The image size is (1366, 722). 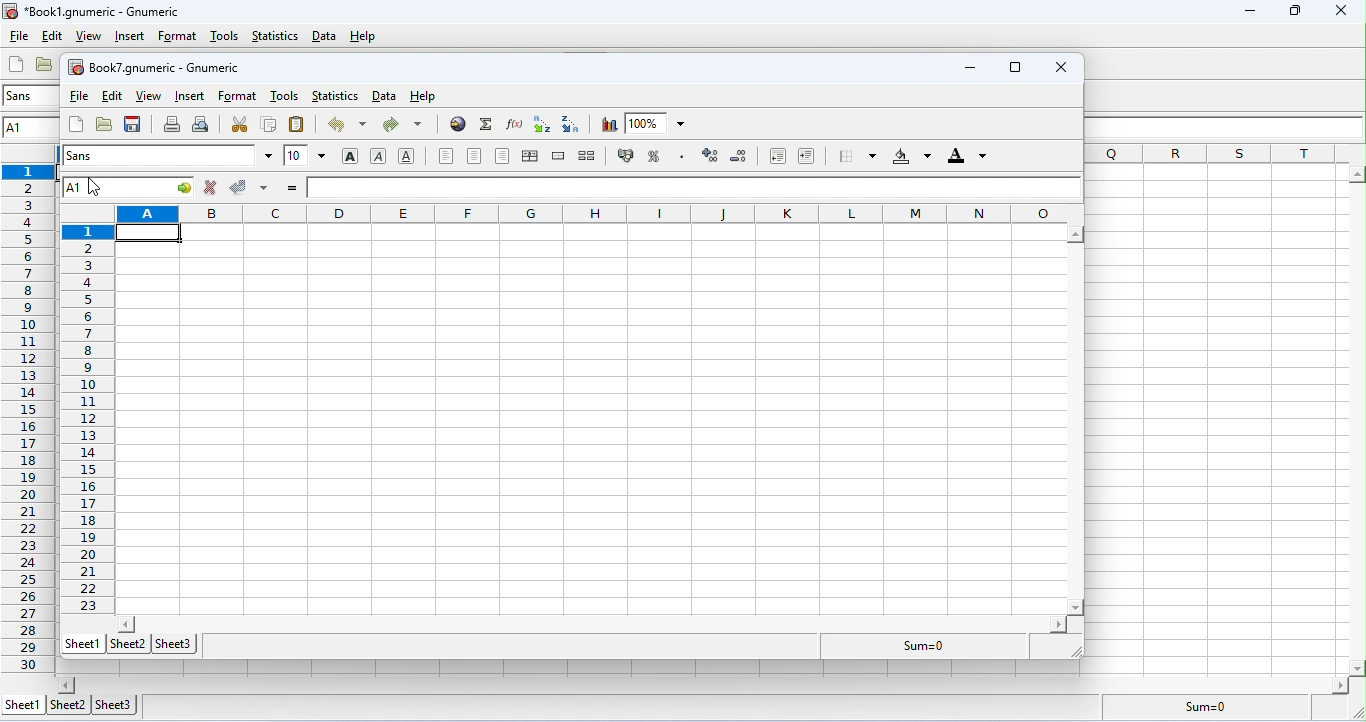 What do you see at coordinates (324, 36) in the screenshot?
I see `data` at bounding box center [324, 36].